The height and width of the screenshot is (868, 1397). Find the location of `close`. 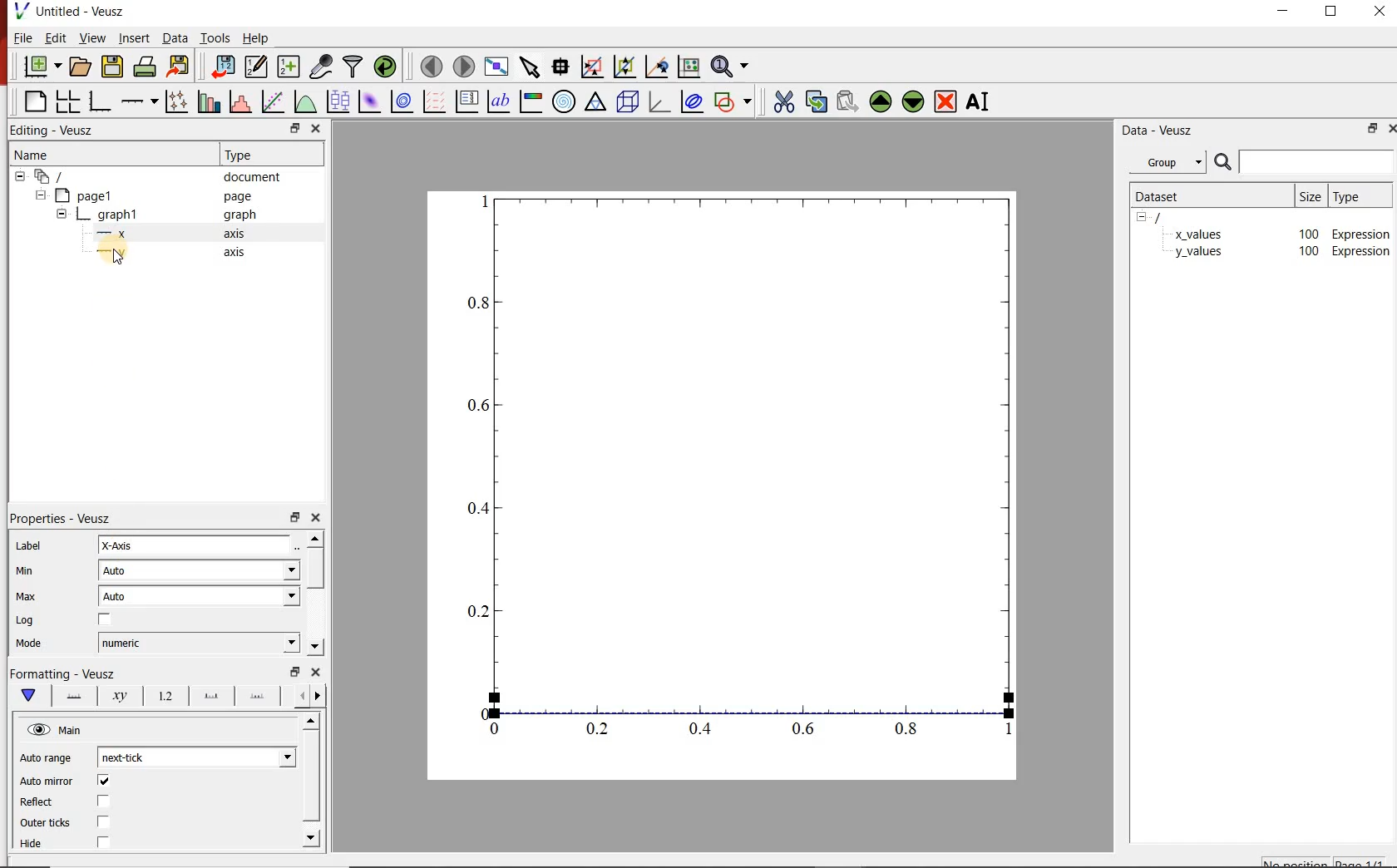

close is located at coordinates (317, 128).